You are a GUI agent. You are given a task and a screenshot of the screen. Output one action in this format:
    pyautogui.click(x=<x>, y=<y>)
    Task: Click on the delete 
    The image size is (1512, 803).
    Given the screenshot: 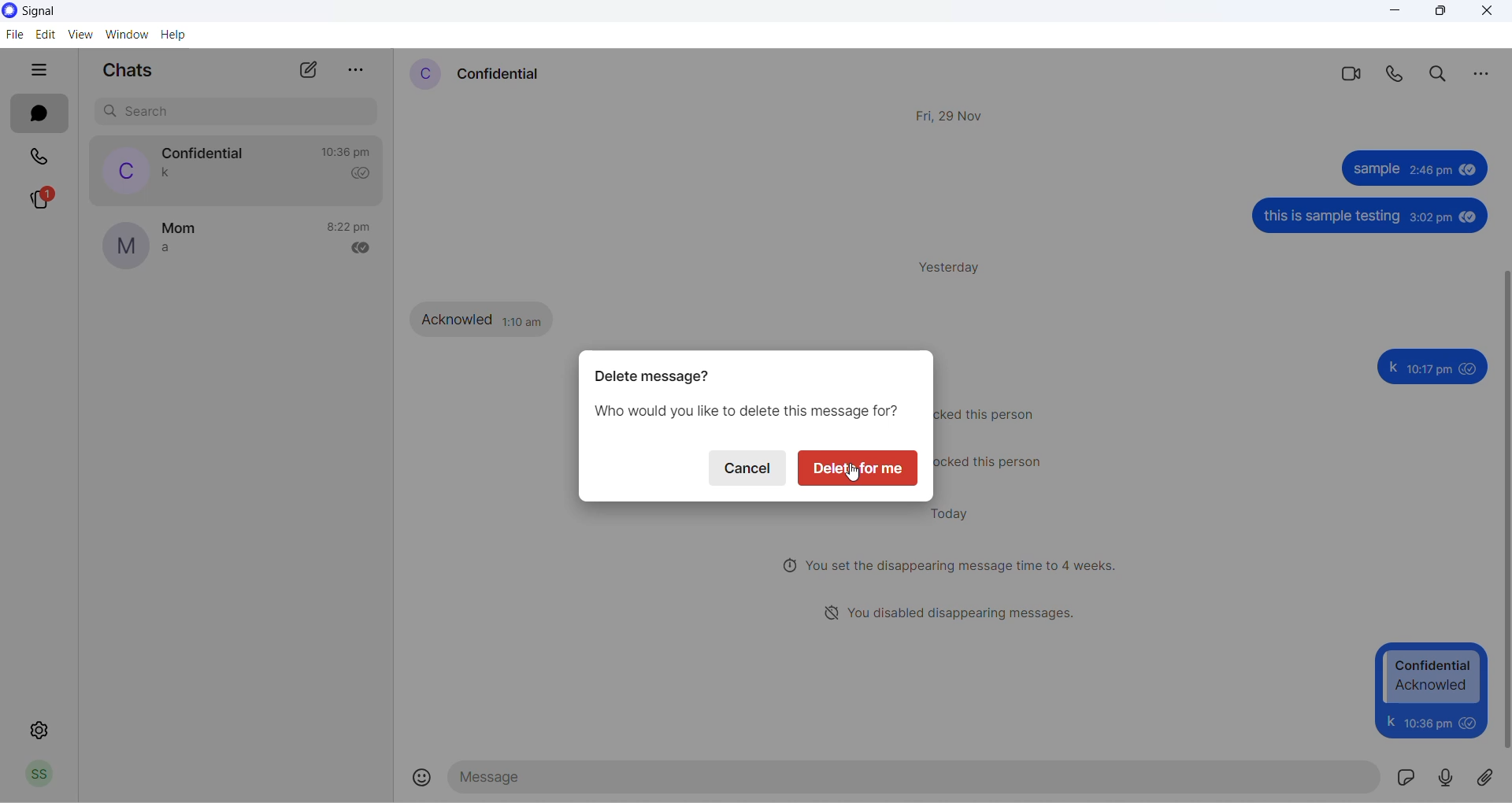 What is the action you would take?
    pyautogui.click(x=862, y=469)
    